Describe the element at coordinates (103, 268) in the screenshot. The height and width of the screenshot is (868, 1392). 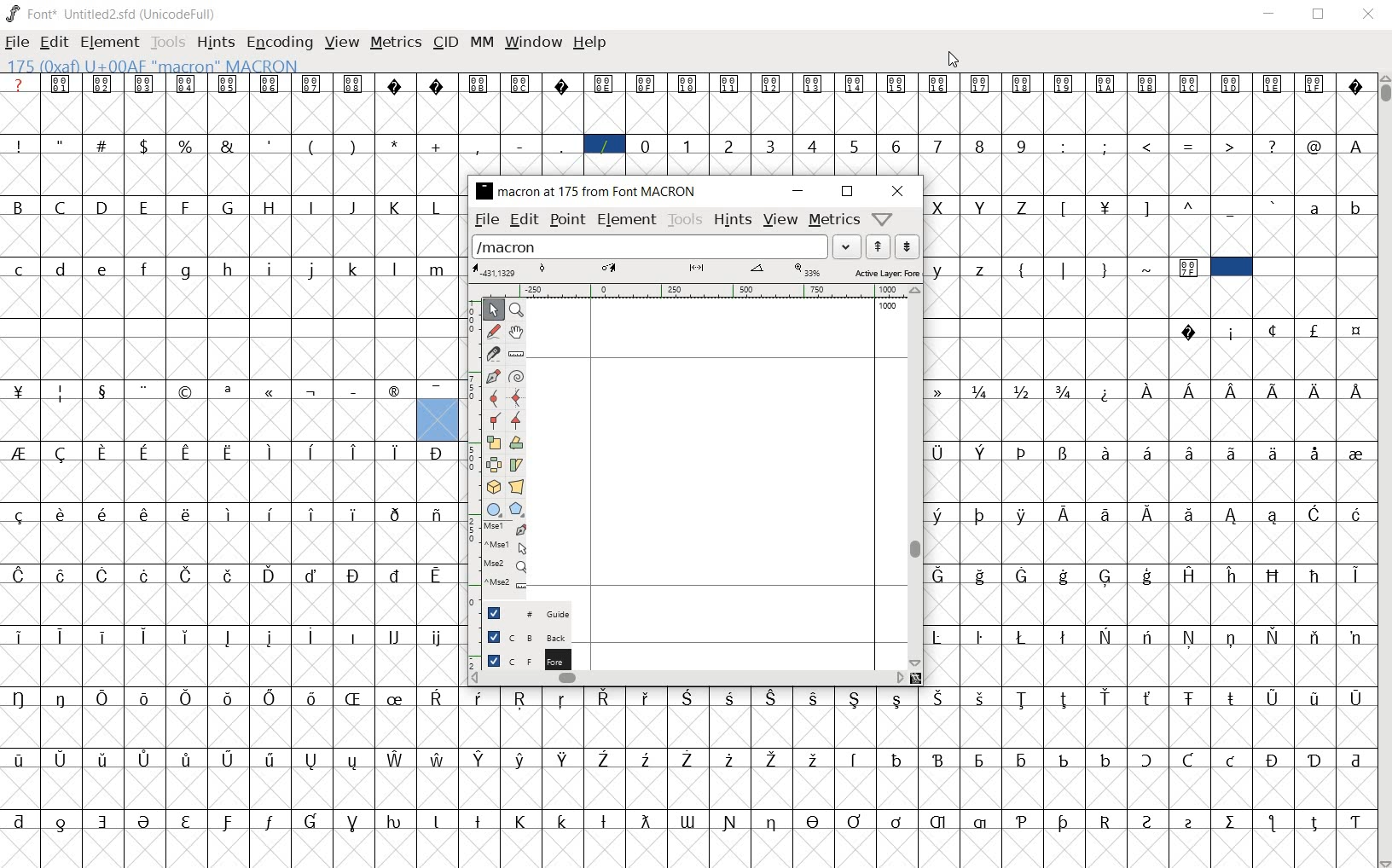
I see `e` at that location.